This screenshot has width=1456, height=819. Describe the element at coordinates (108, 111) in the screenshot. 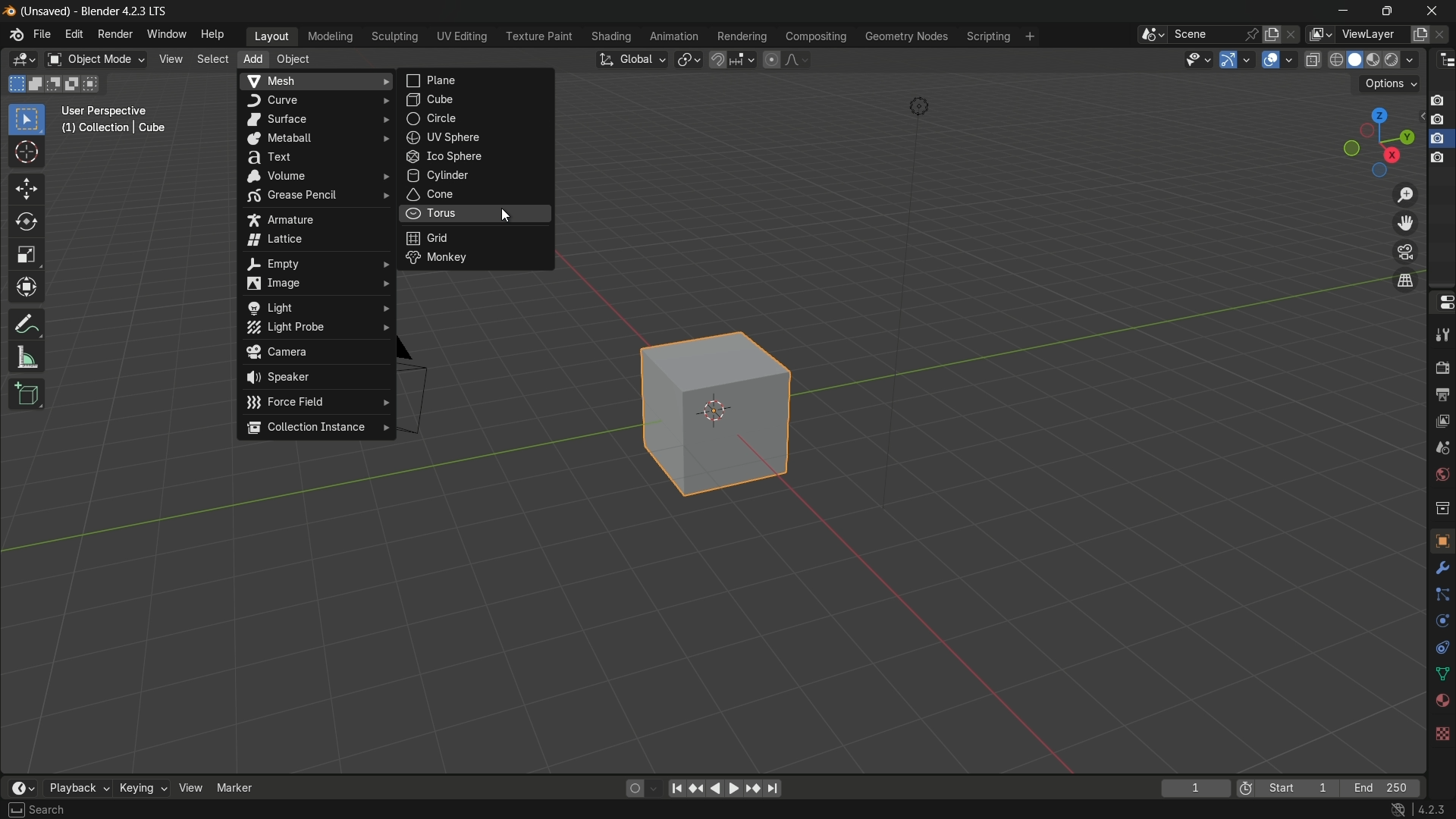

I see `User Perspective` at that location.